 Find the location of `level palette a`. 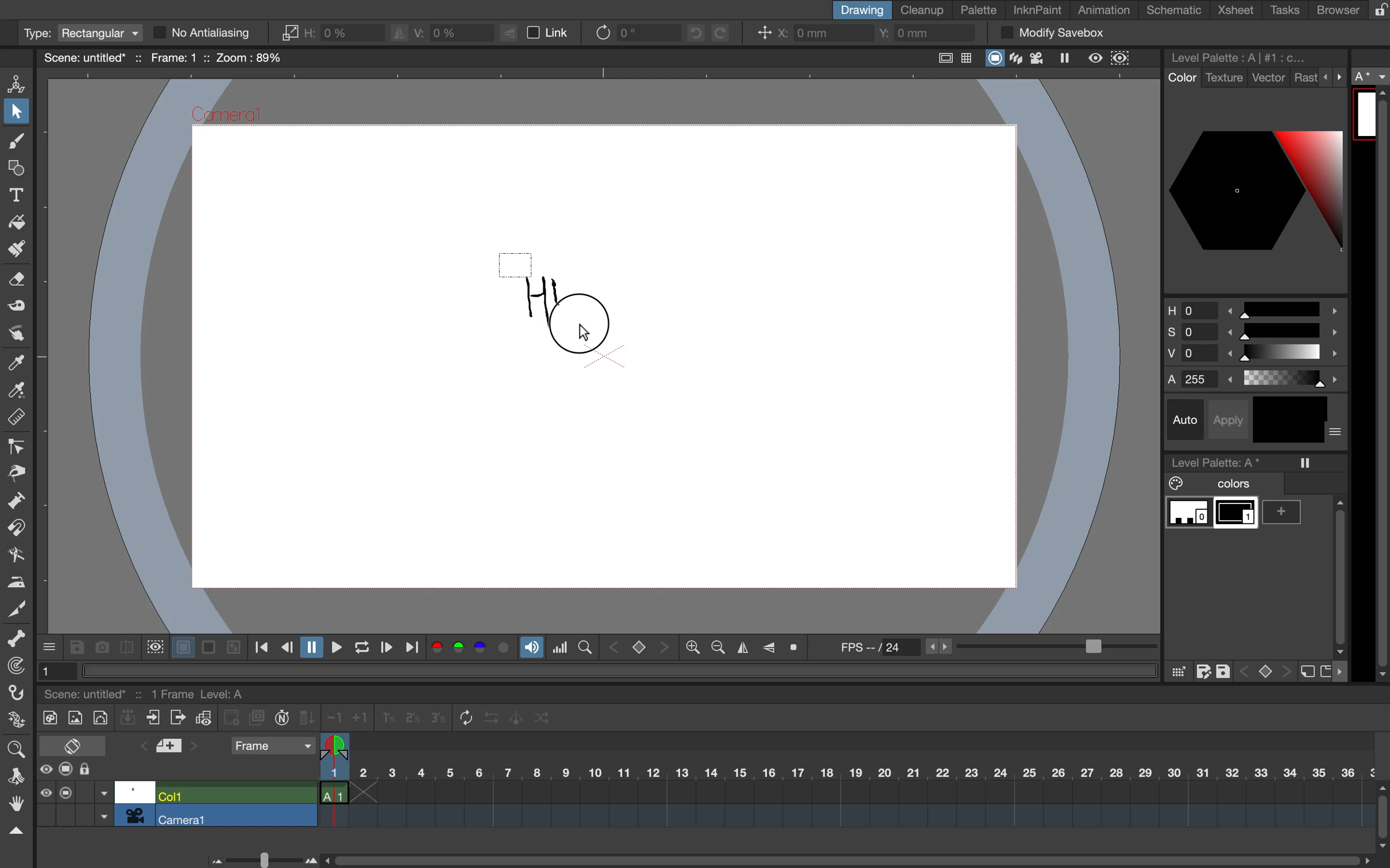

level palette a is located at coordinates (1220, 460).